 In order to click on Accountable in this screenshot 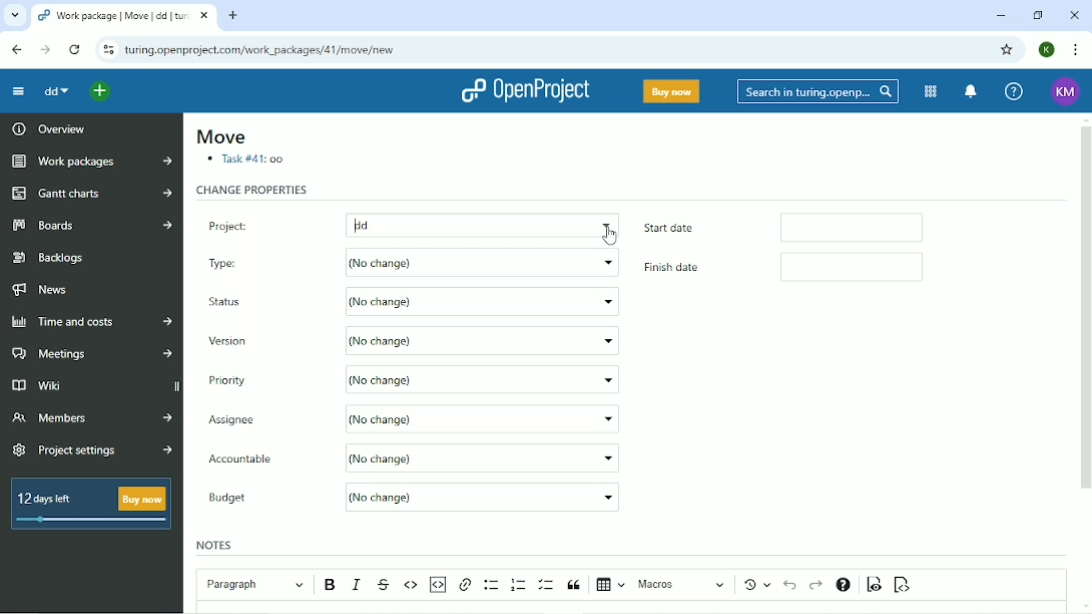, I will do `click(262, 460)`.